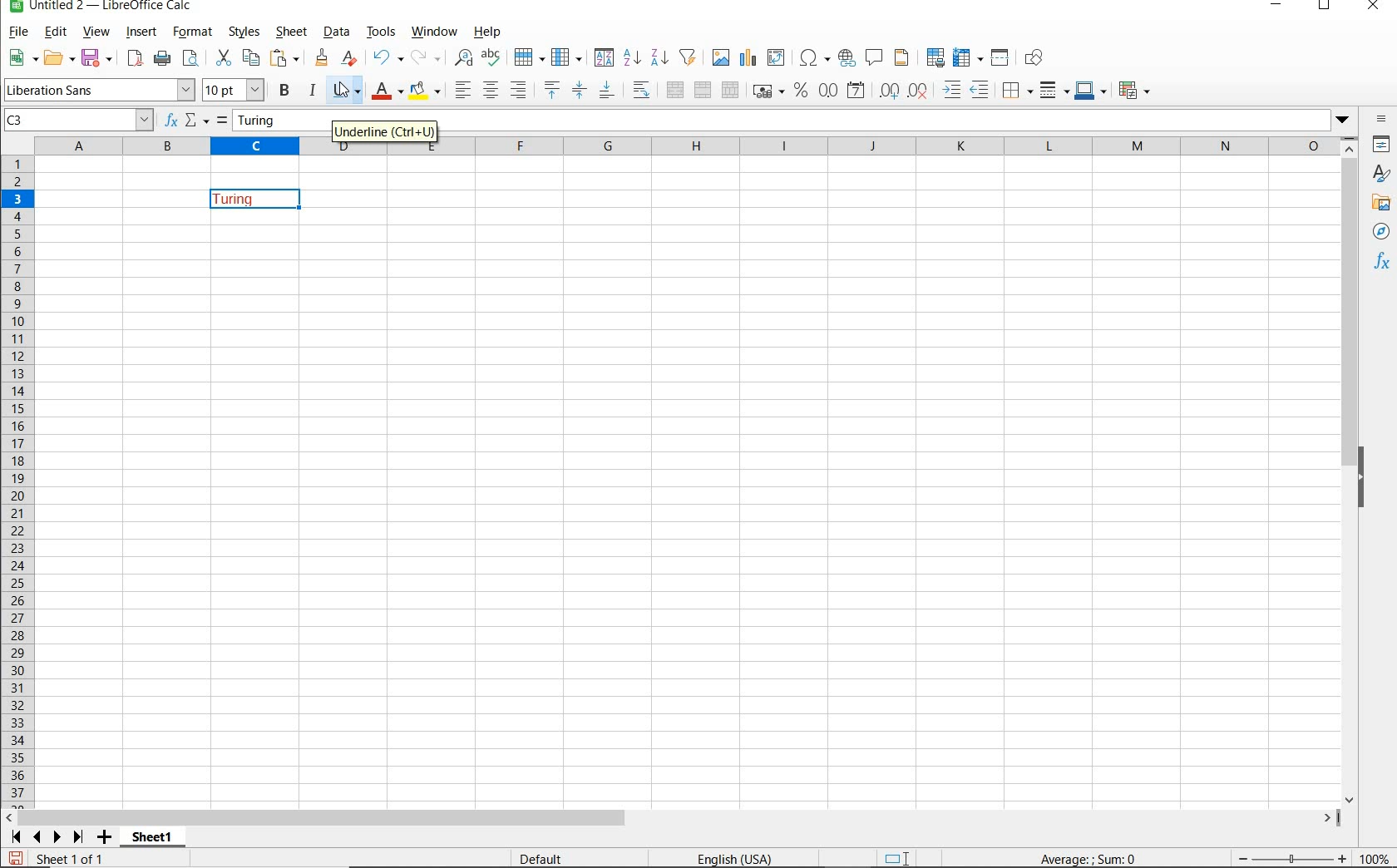  What do you see at coordinates (847, 60) in the screenshot?
I see `INSERT HYPERLINK` at bounding box center [847, 60].